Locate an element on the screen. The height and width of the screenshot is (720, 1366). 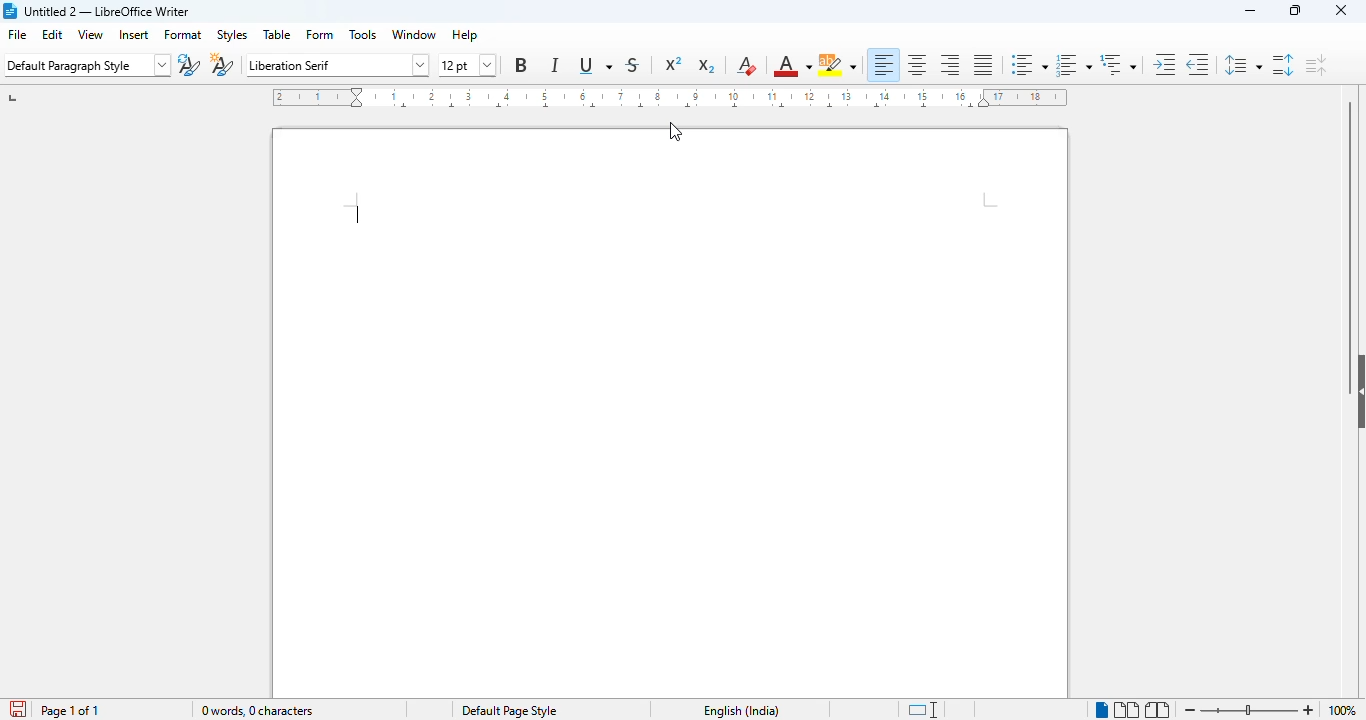
subscript is located at coordinates (706, 66).